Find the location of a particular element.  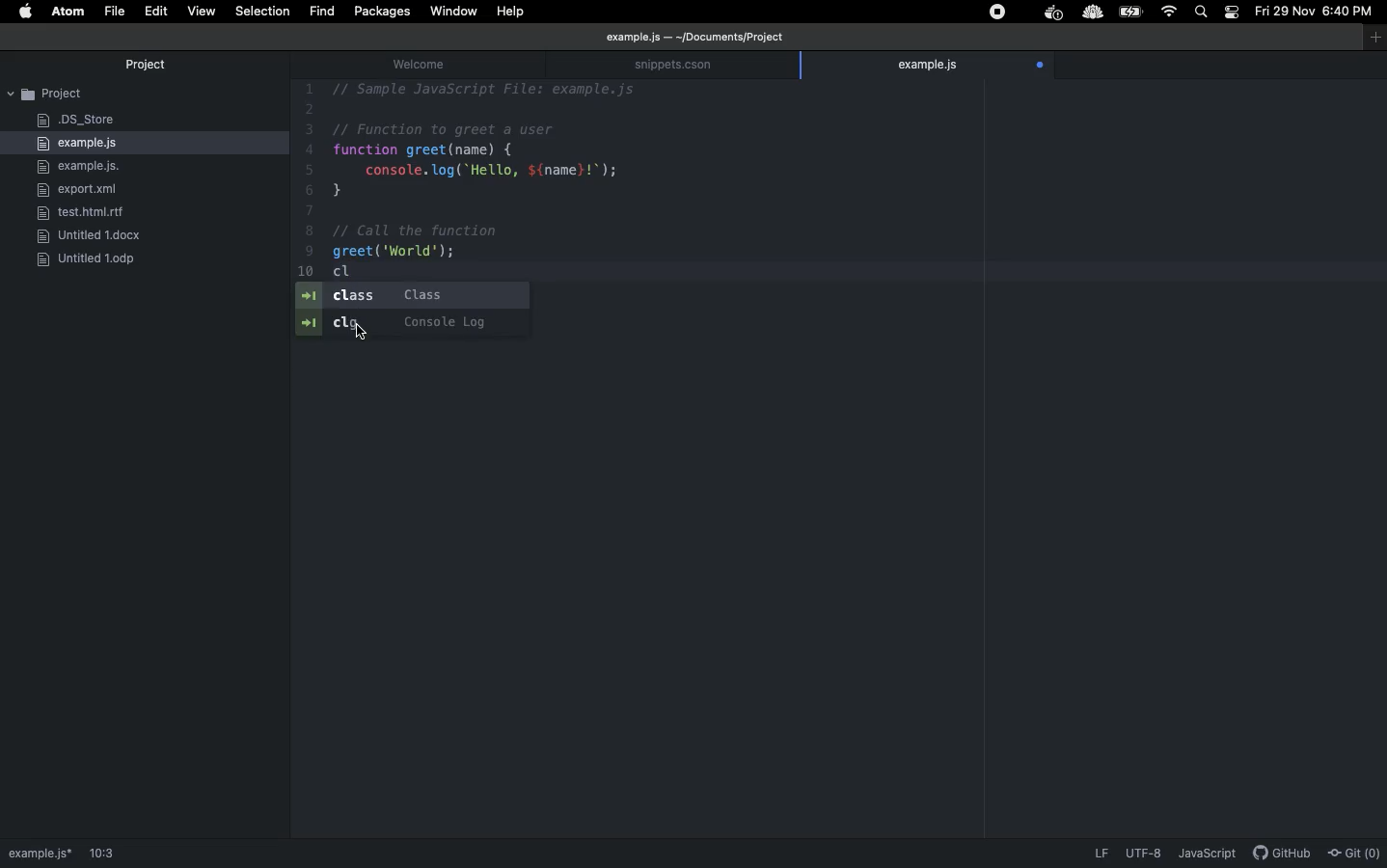

Project is located at coordinates (146, 65).